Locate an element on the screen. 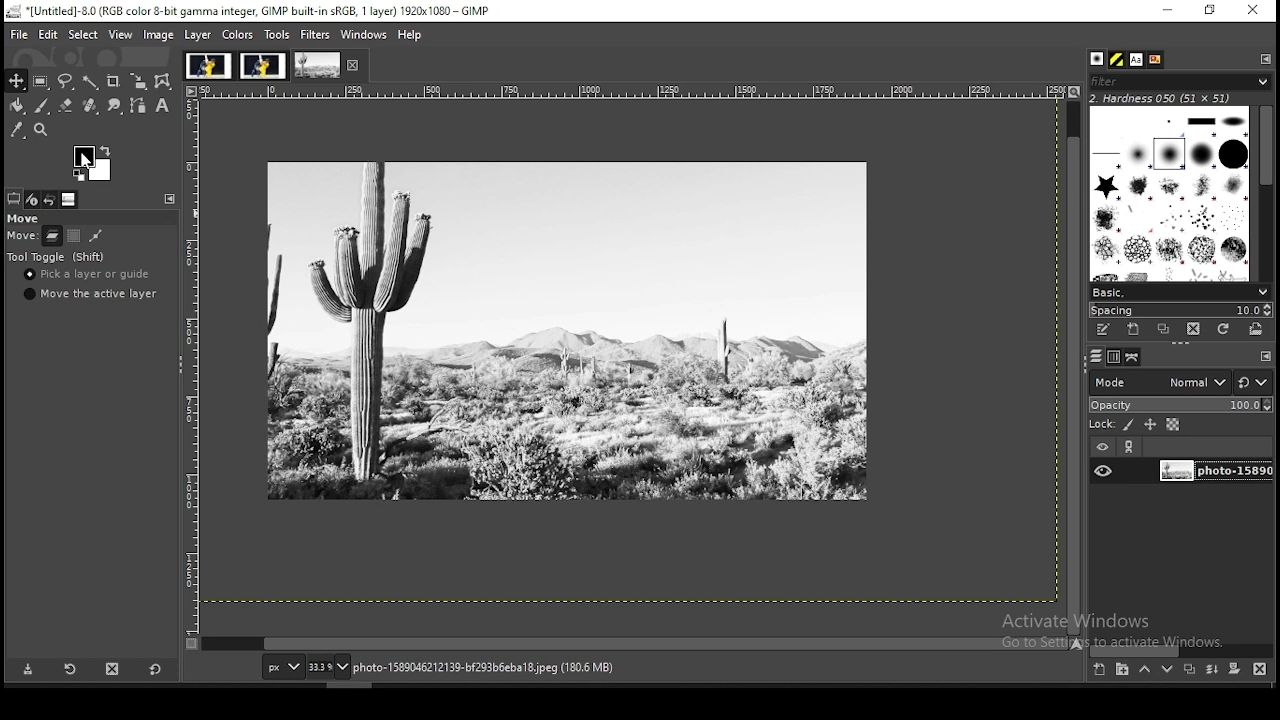  document history is located at coordinates (1156, 60).